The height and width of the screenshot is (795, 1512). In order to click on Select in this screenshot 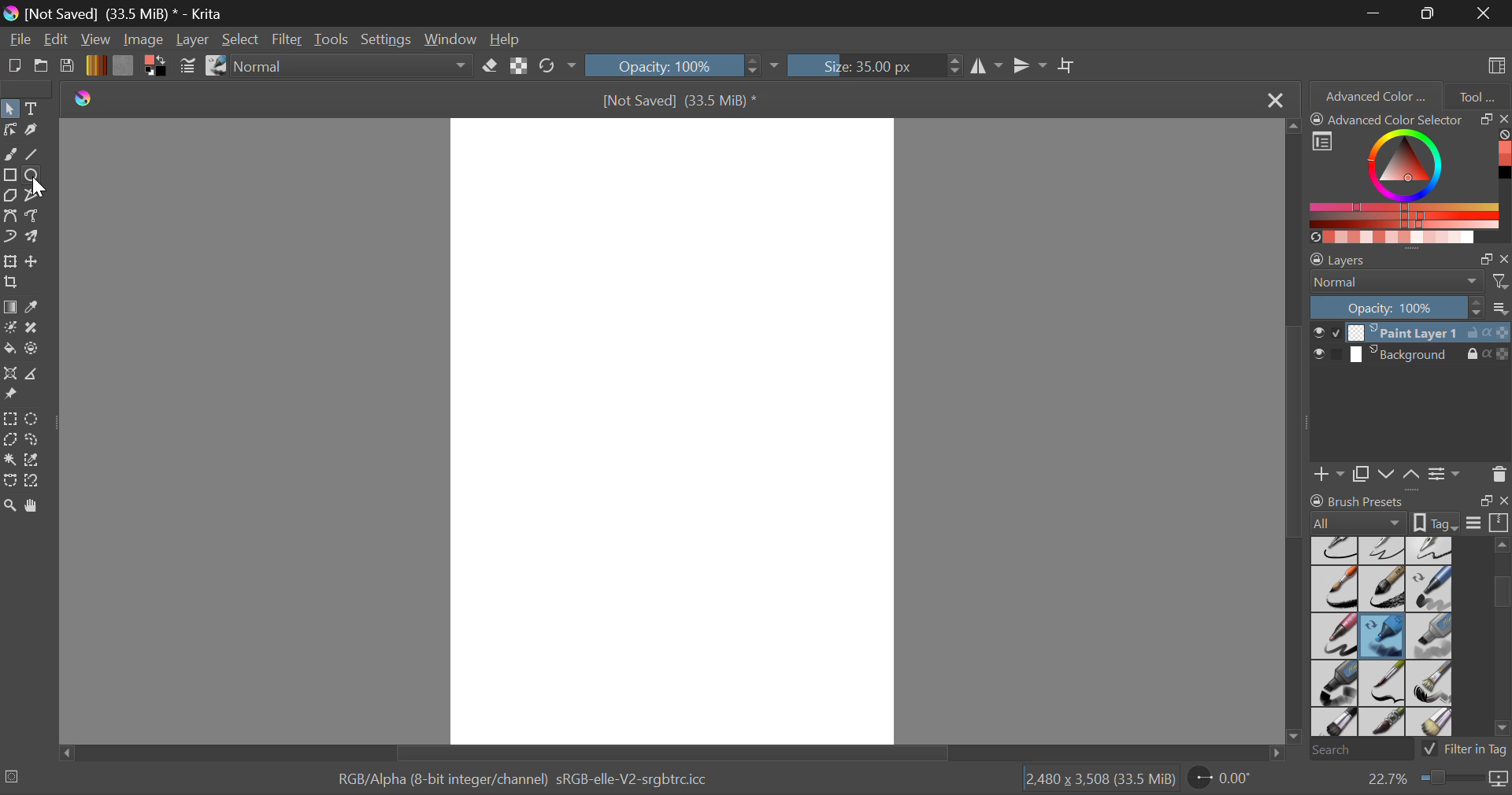, I will do `click(9, 109)`.